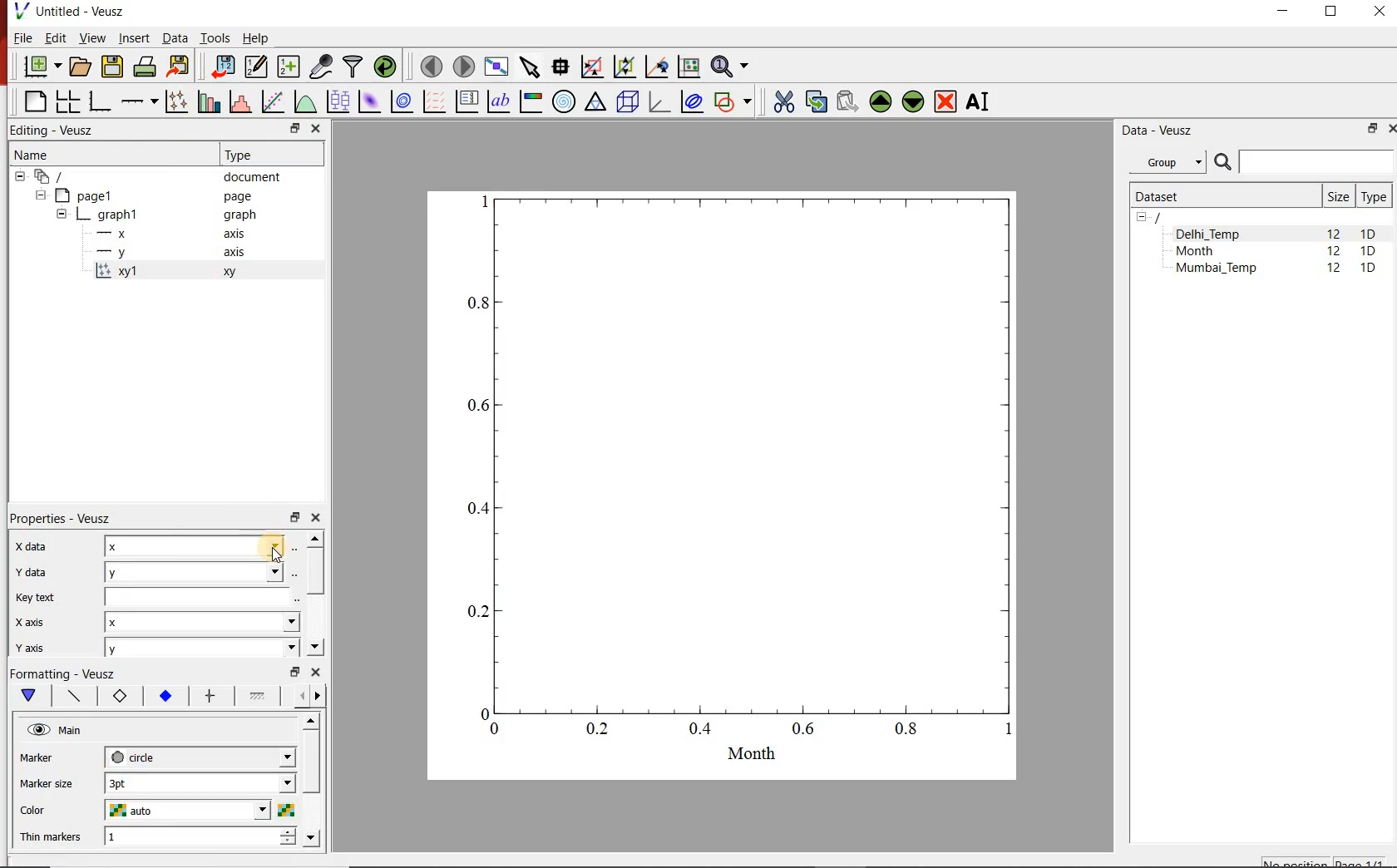 The width and height of the screenshot is (1397, 868). What do you see at coordinates (49, 838) in the screenshot?
I see `Thin markers` at bounding box center [49, 838].